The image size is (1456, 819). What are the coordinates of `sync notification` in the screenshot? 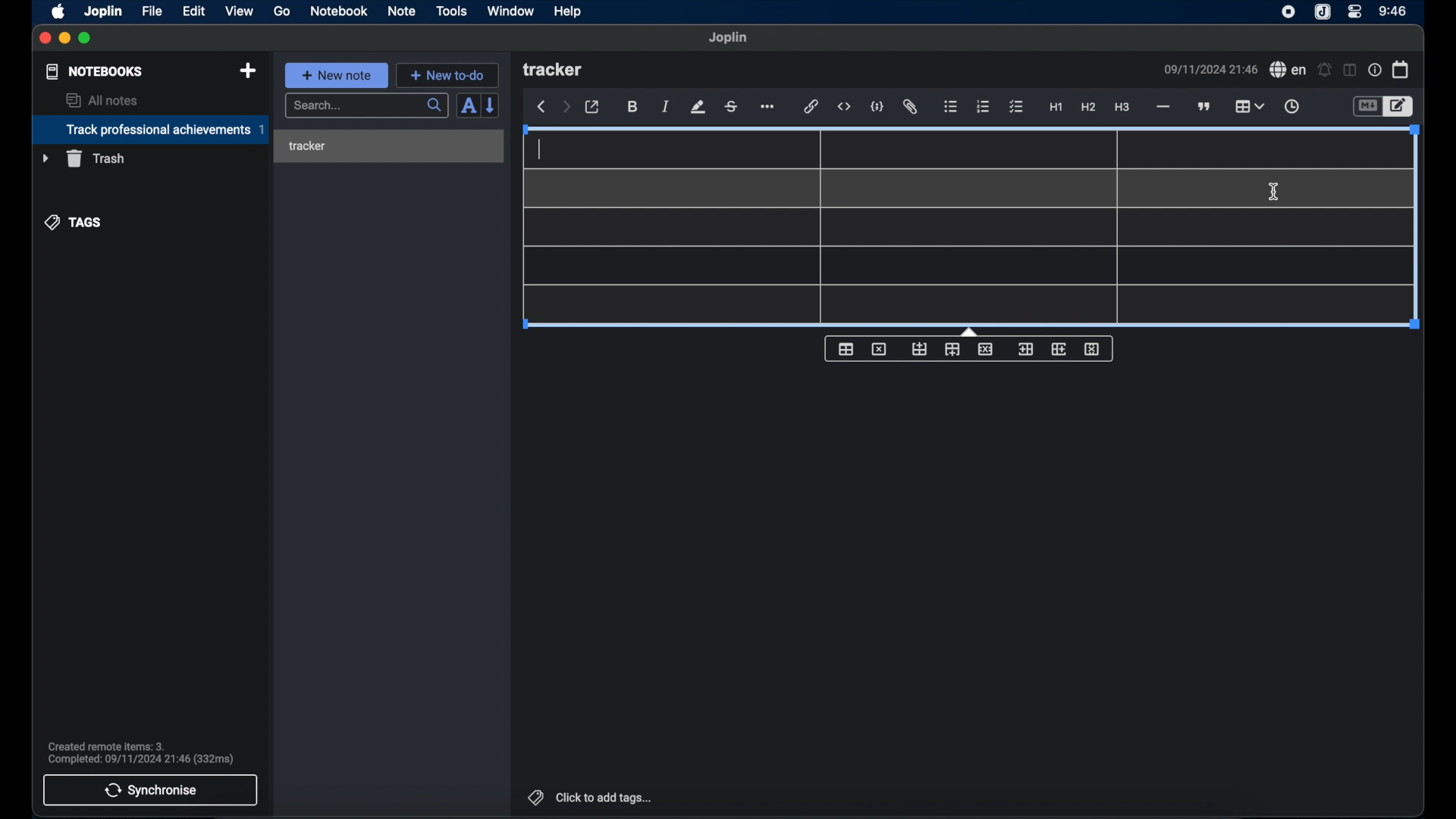 It's located at (140, 753).